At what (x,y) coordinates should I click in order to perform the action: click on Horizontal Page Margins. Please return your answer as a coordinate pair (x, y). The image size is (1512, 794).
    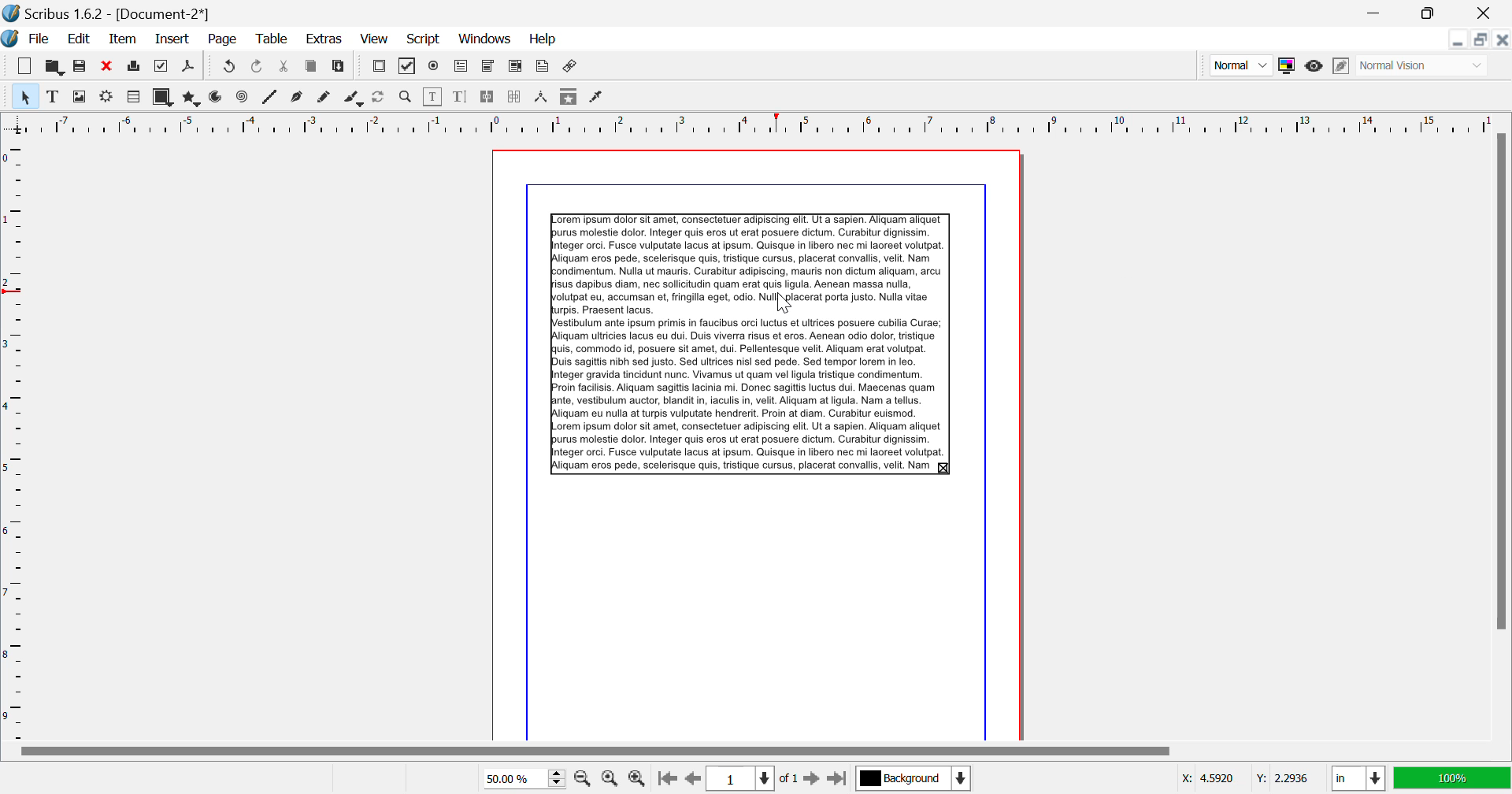
    Looking at the image, I should click on (15, 439).